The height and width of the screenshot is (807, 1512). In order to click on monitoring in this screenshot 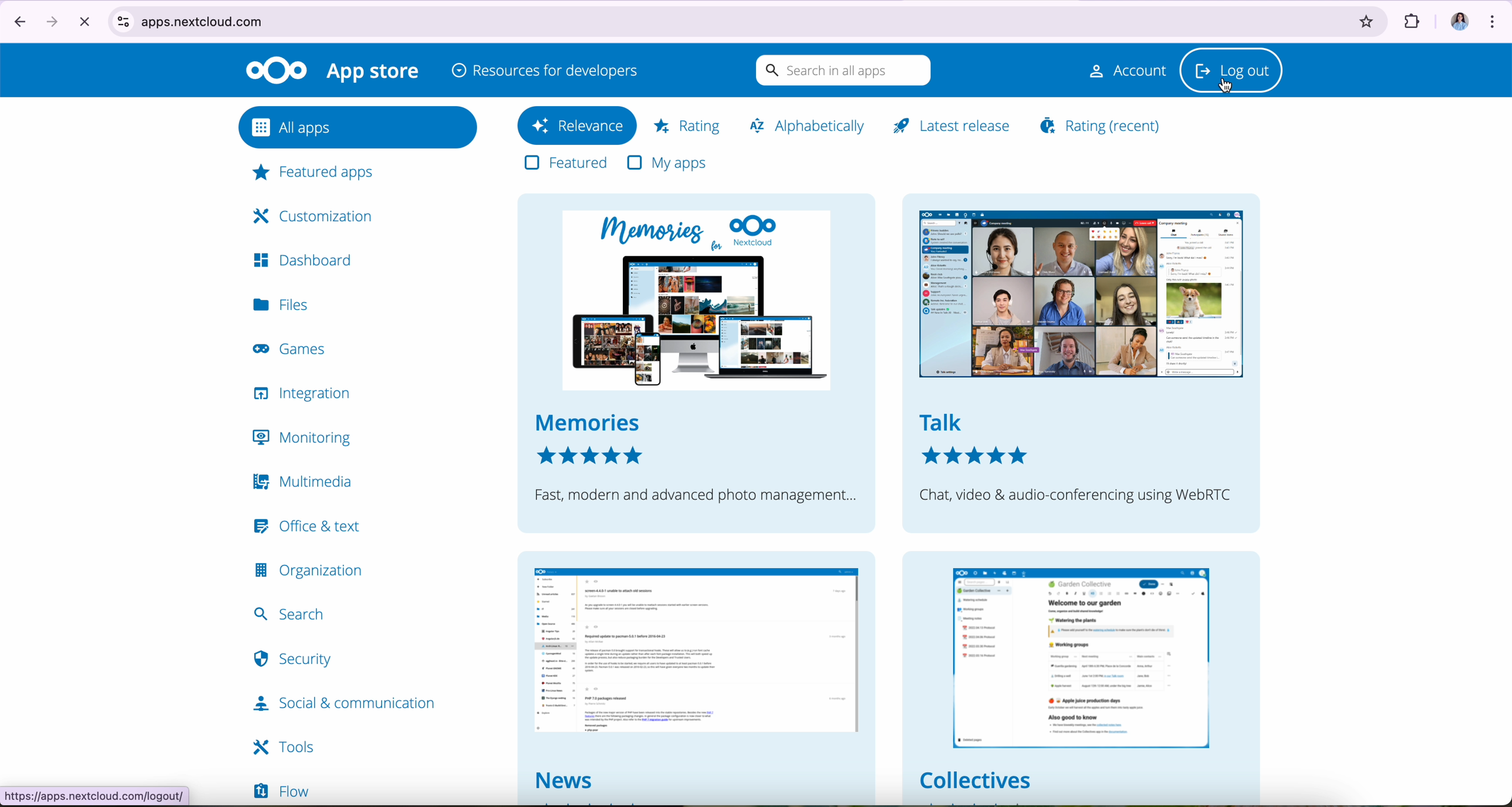, I will do `click(304, 437)`.